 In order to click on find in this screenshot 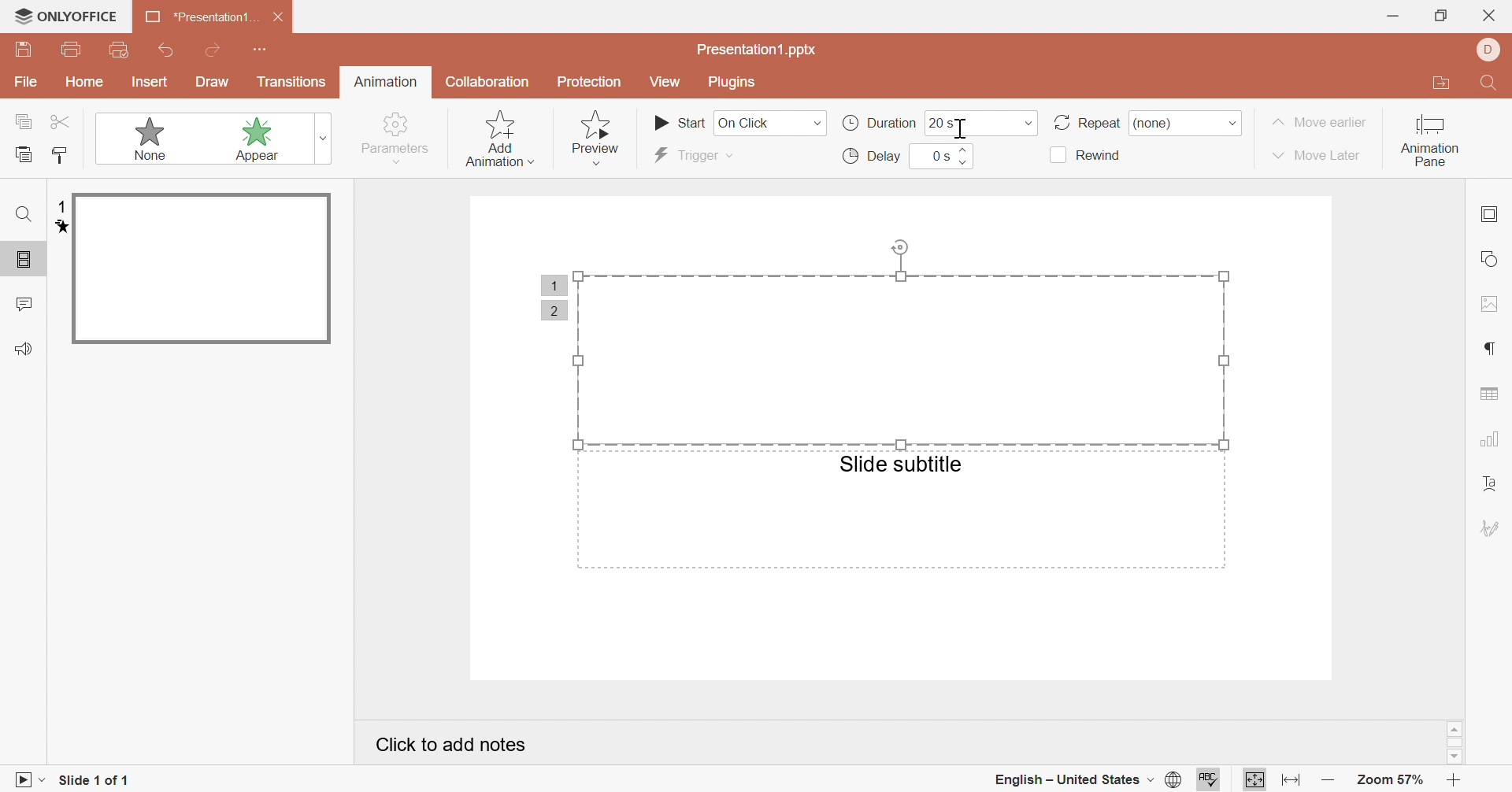, I will do `click(1492, 83)`.